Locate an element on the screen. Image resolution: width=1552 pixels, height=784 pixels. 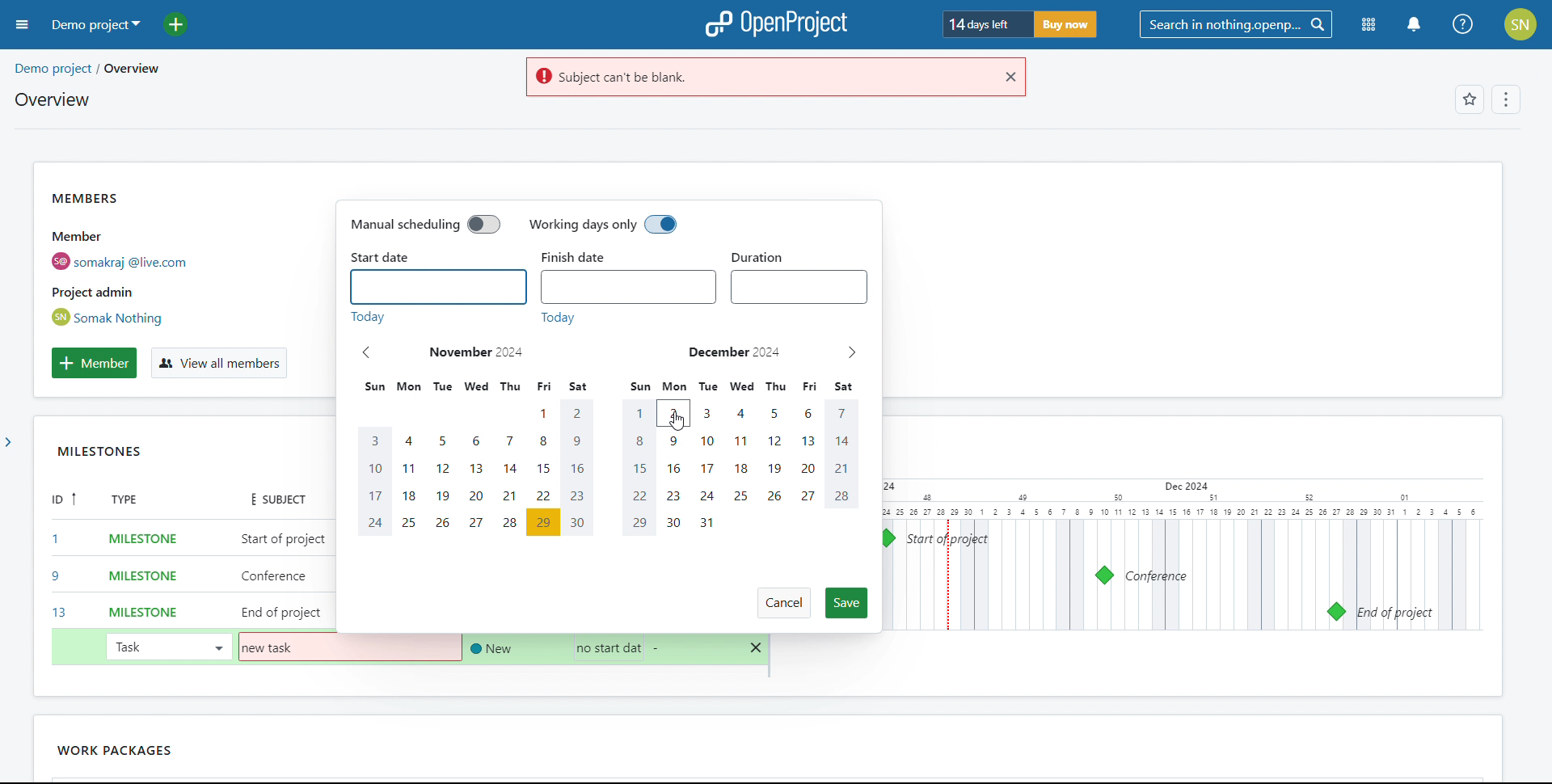
cancel is located at coordinates (783, 603).